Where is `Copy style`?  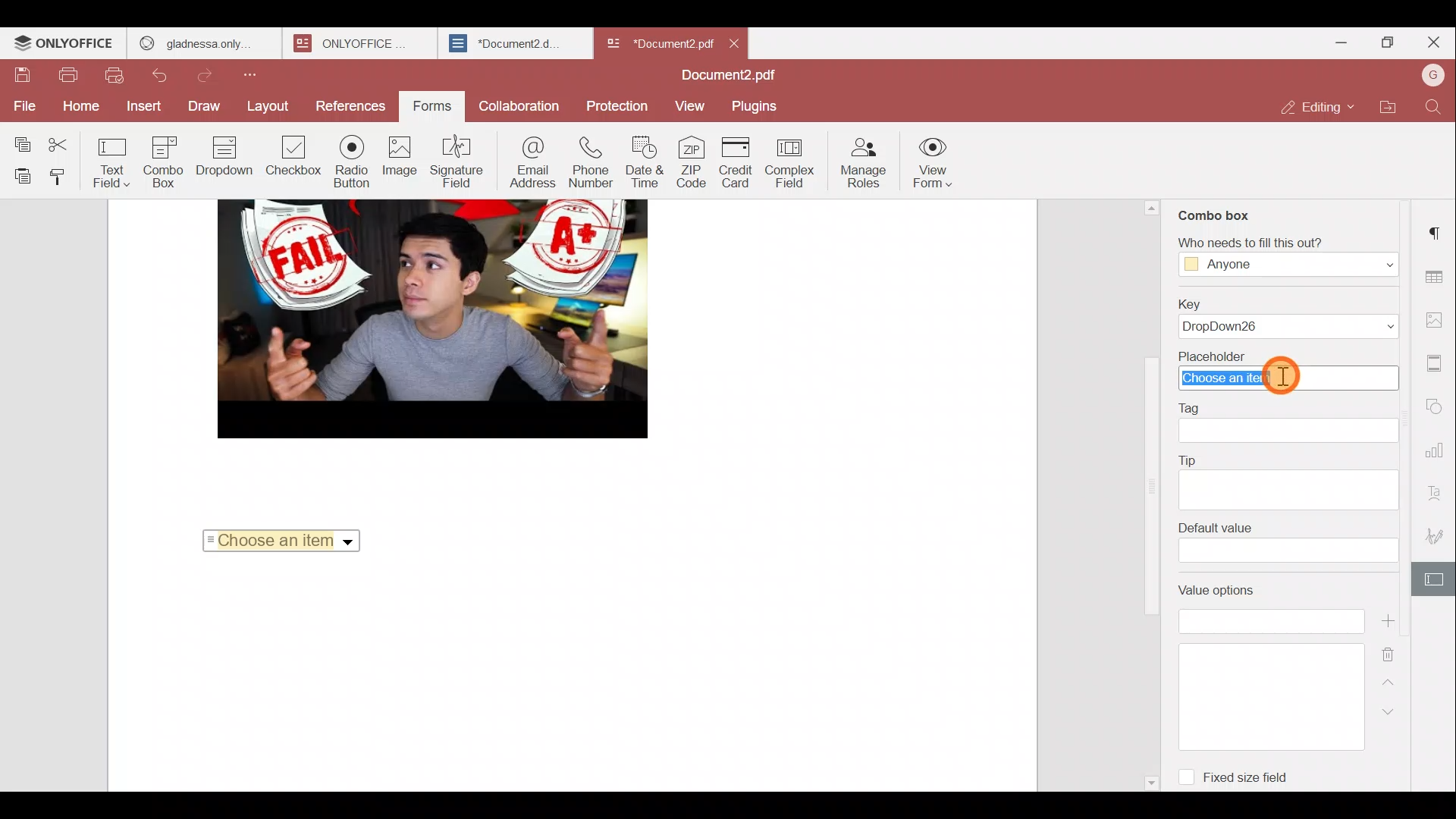
Copy style is located at coordinates (65, 177).